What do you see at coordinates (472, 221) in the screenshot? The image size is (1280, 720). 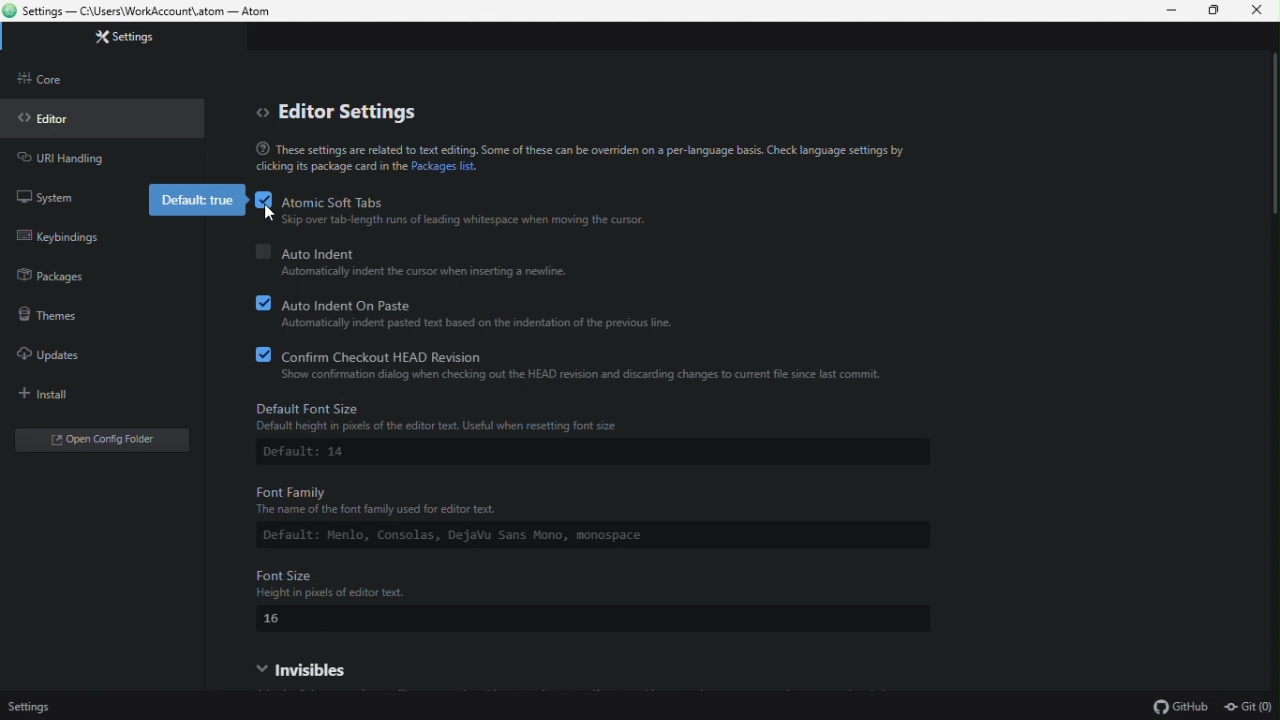 I see `'\ Skip over tab-length runs of leading whitespace when moving the cursor.` at bounding box center [472, 221].